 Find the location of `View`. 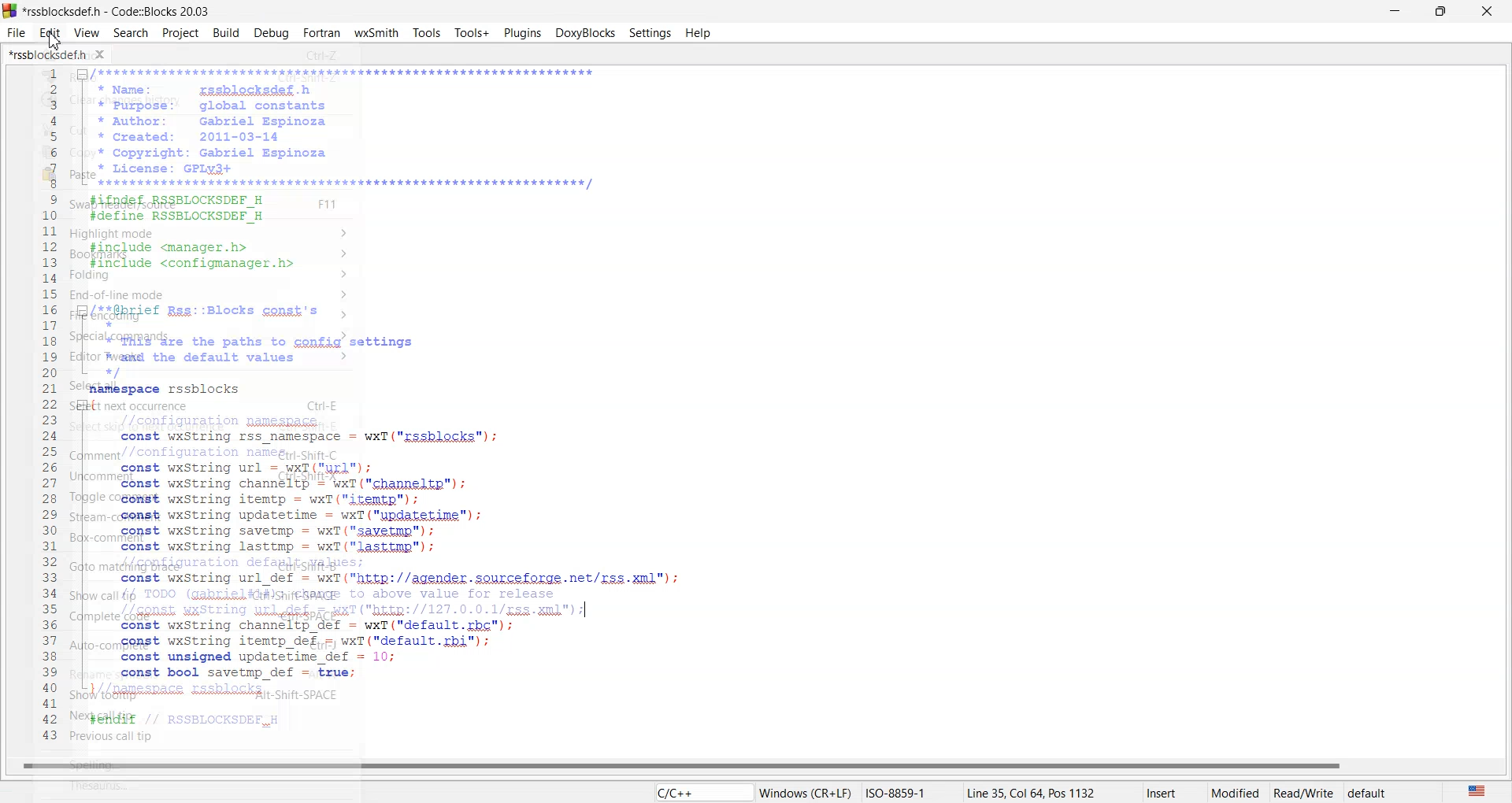

View is located at coordinates (87, 33).